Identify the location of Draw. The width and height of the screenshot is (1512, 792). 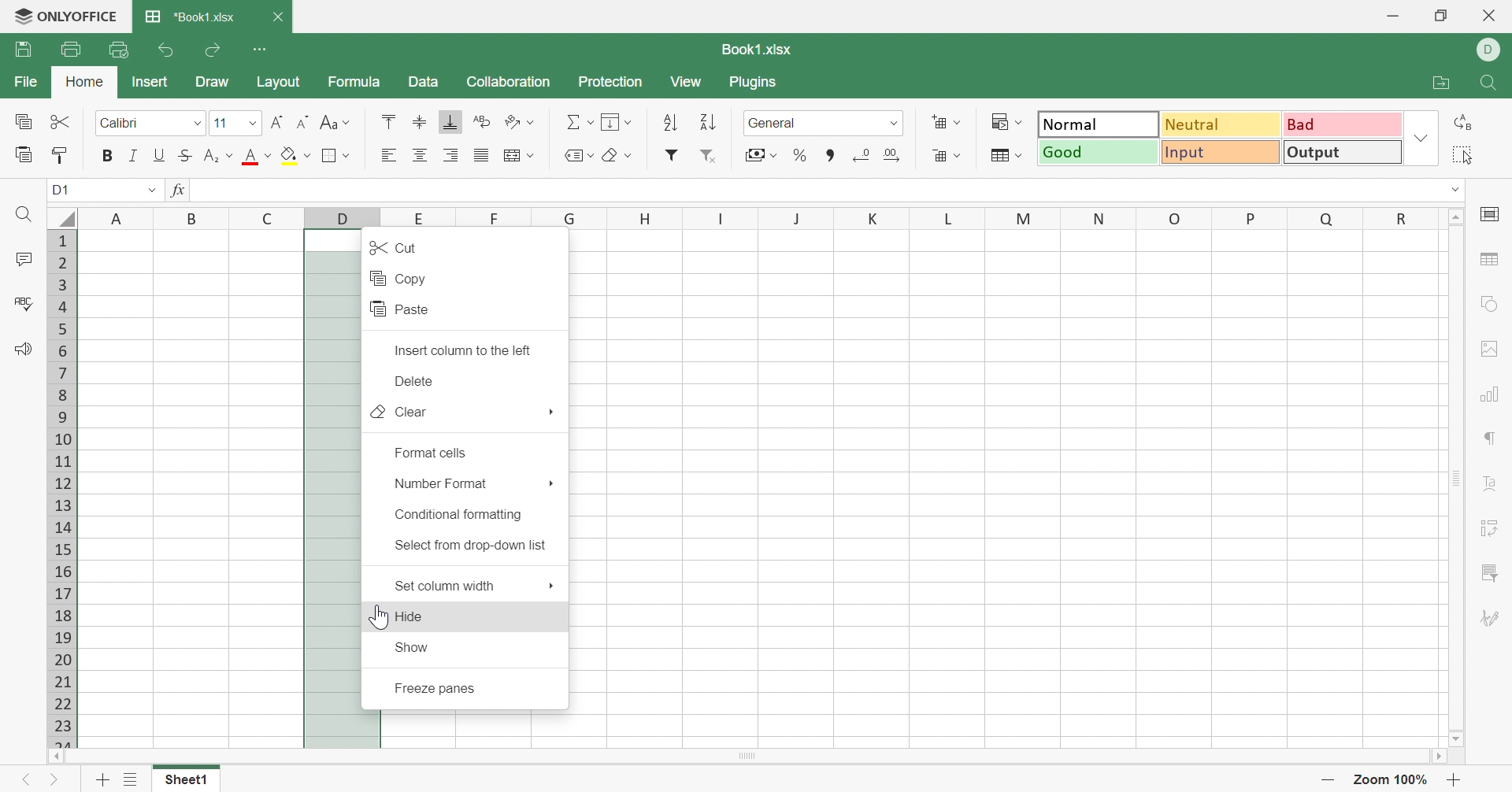
(212, 82).